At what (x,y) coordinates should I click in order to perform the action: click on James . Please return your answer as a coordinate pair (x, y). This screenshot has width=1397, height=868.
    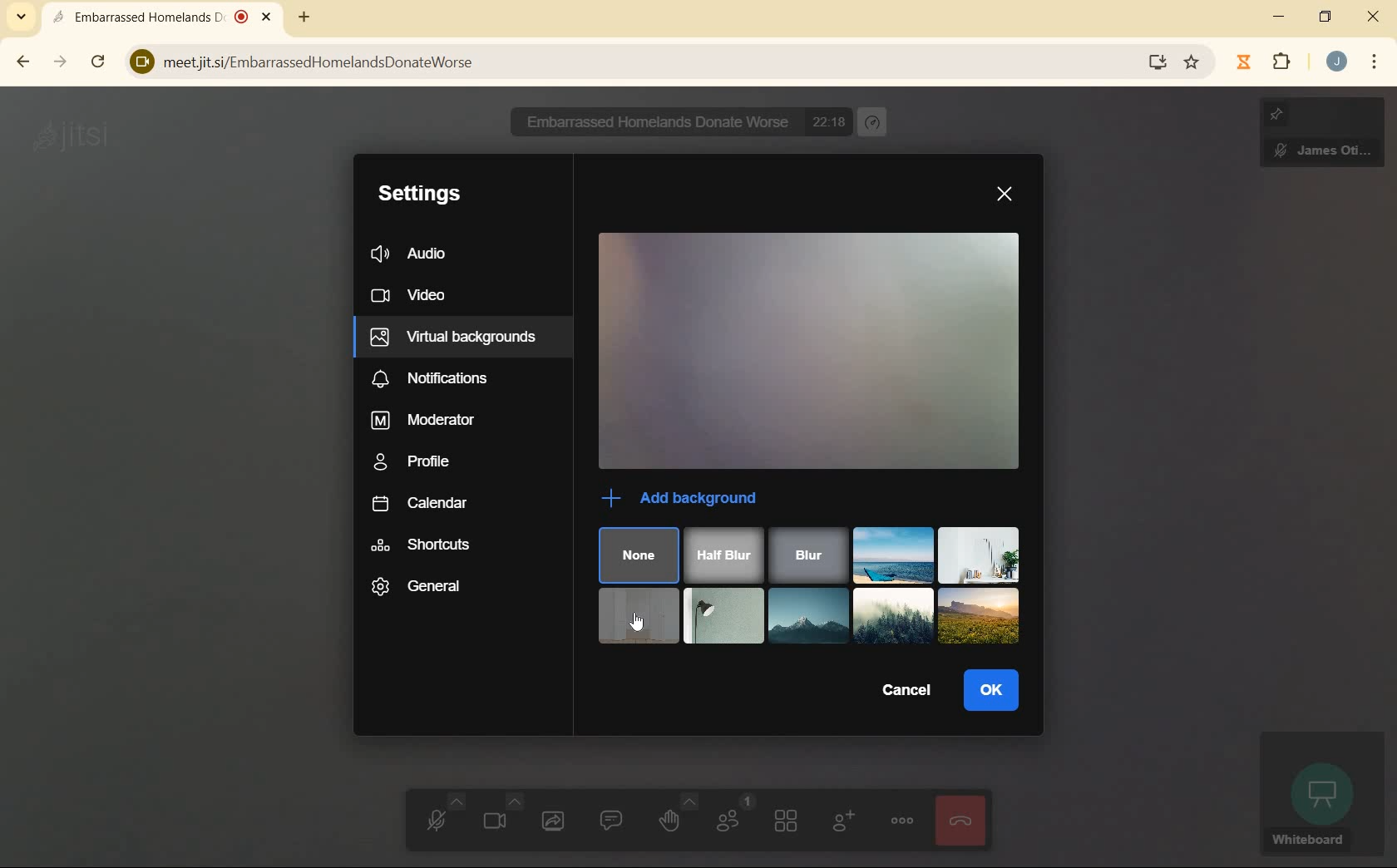
    Looking at the image, I should click on (1322, 138).